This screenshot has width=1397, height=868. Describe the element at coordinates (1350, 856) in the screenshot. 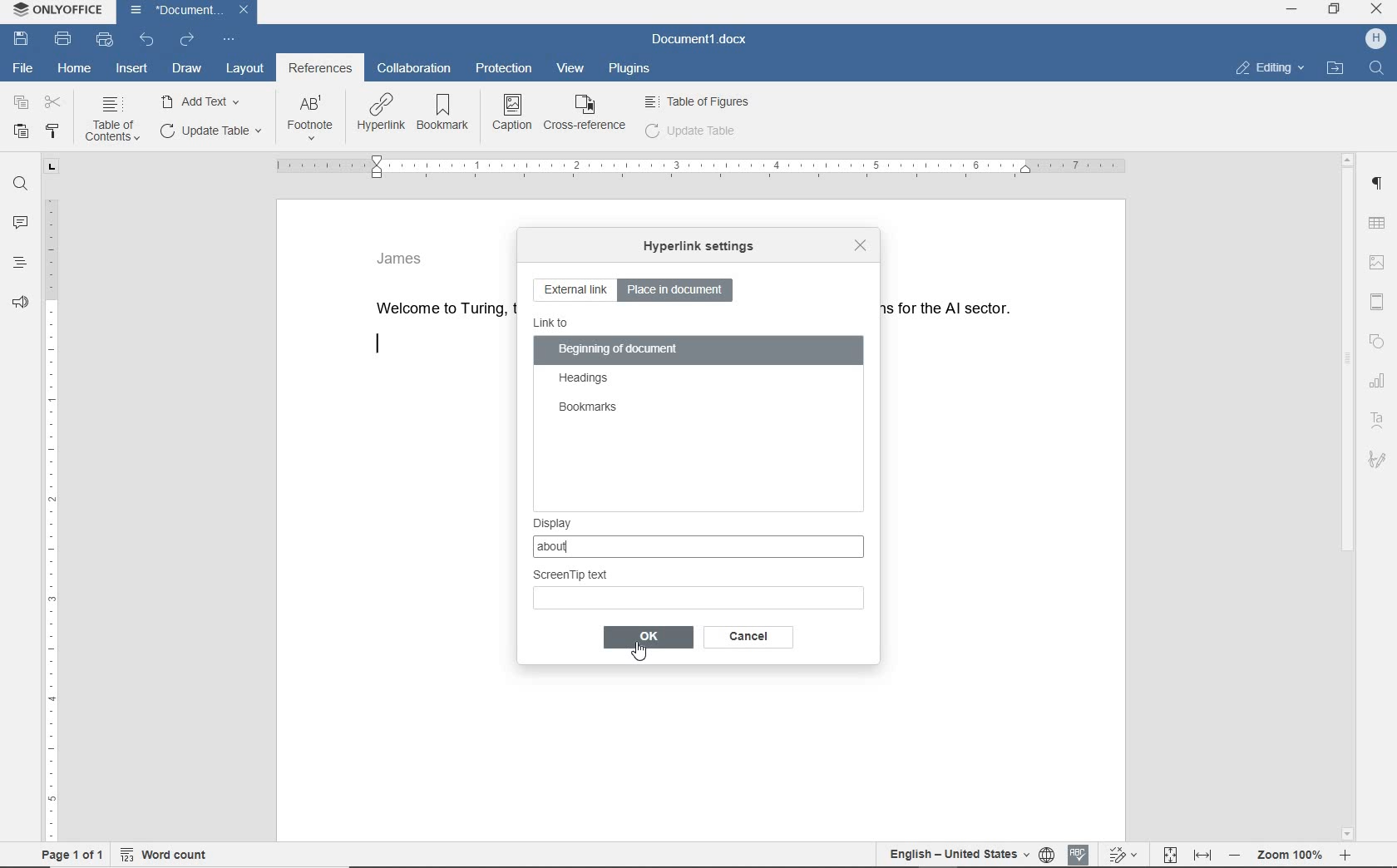

I see `zoom in` at that location.